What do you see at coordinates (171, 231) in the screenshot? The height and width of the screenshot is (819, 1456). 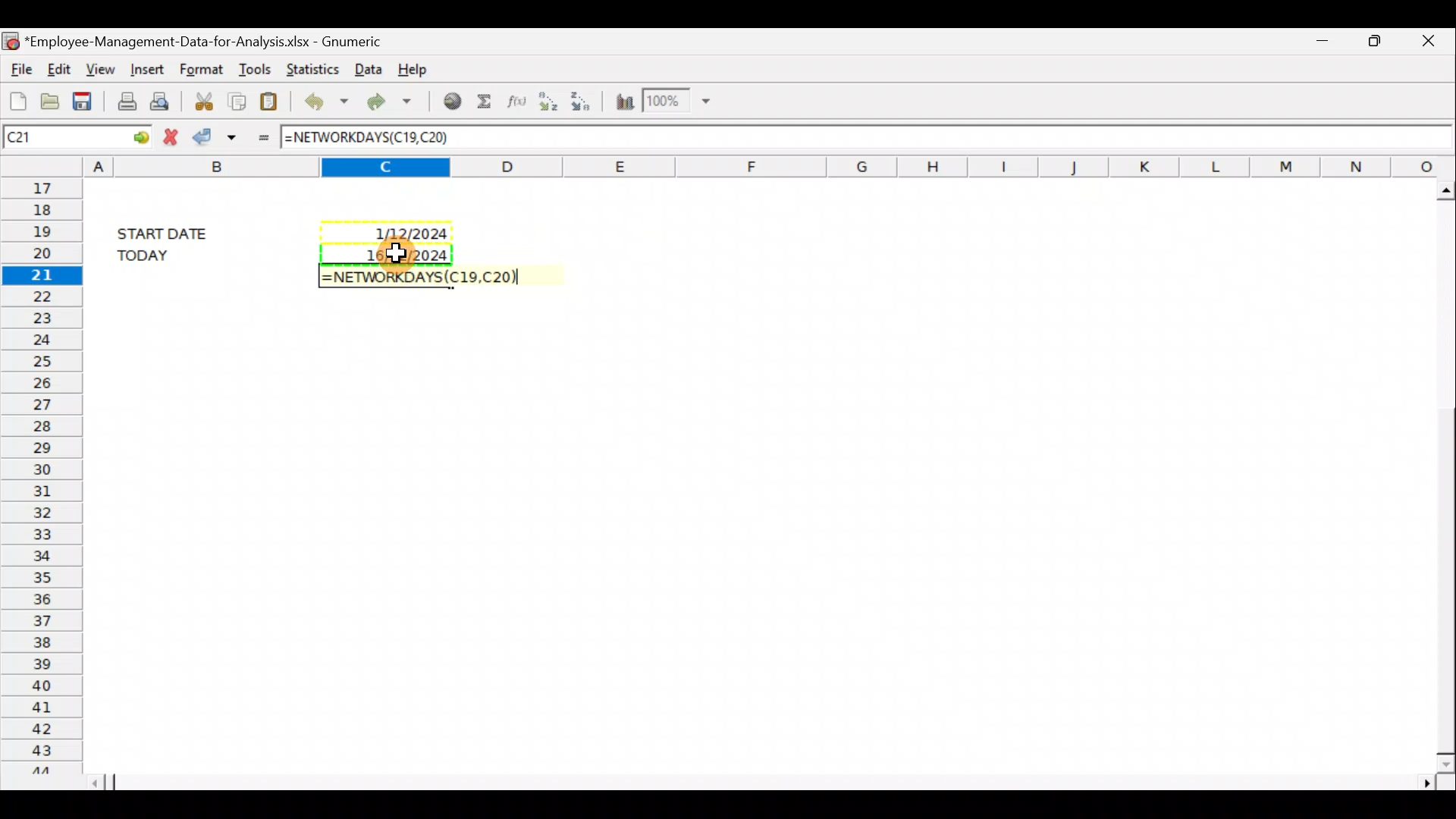 I see `START DATE` at bounding box center [171, 231].